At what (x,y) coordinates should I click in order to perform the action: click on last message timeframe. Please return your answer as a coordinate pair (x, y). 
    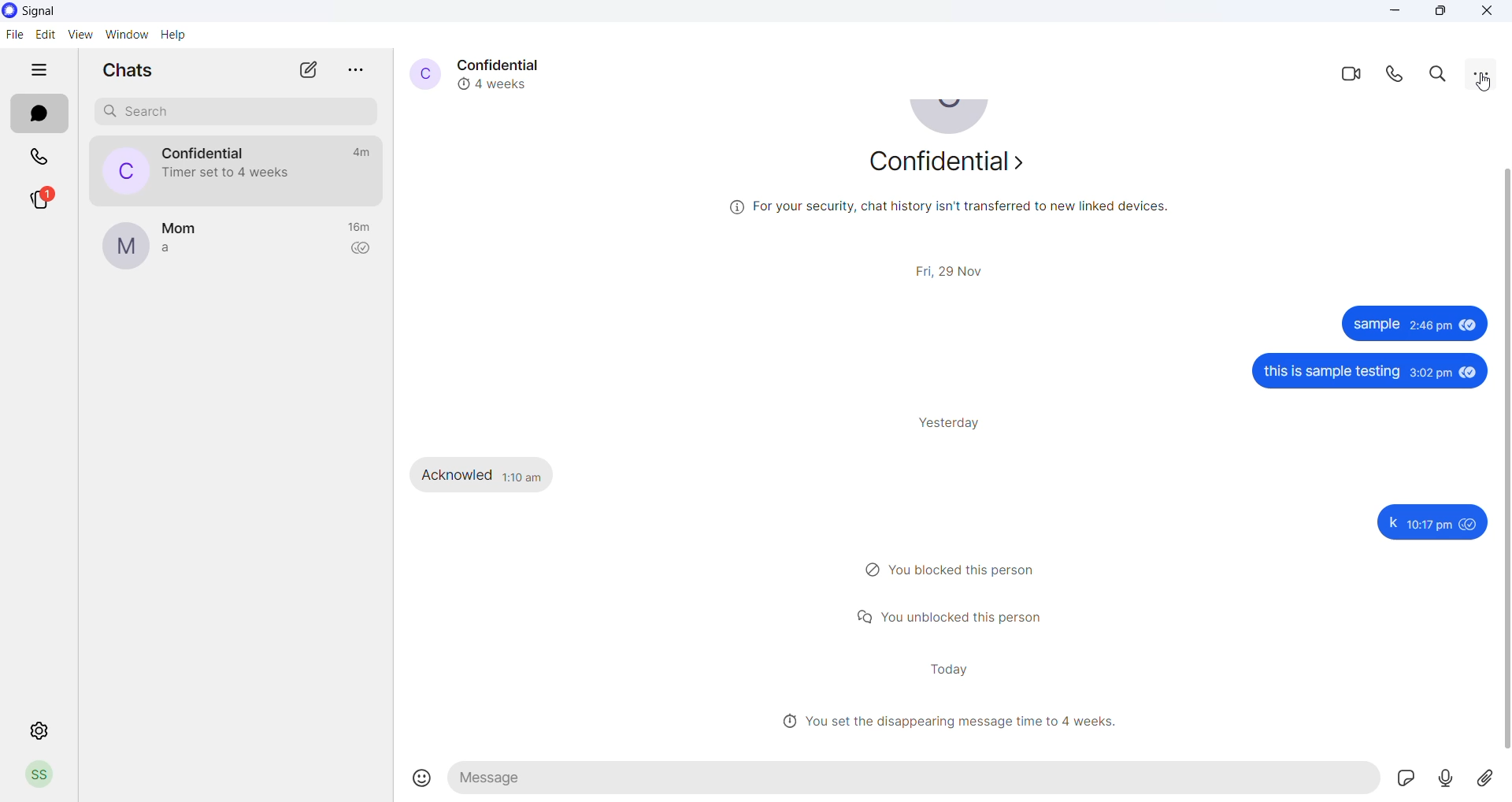
    Looking at the image, I should click on (358, 152).